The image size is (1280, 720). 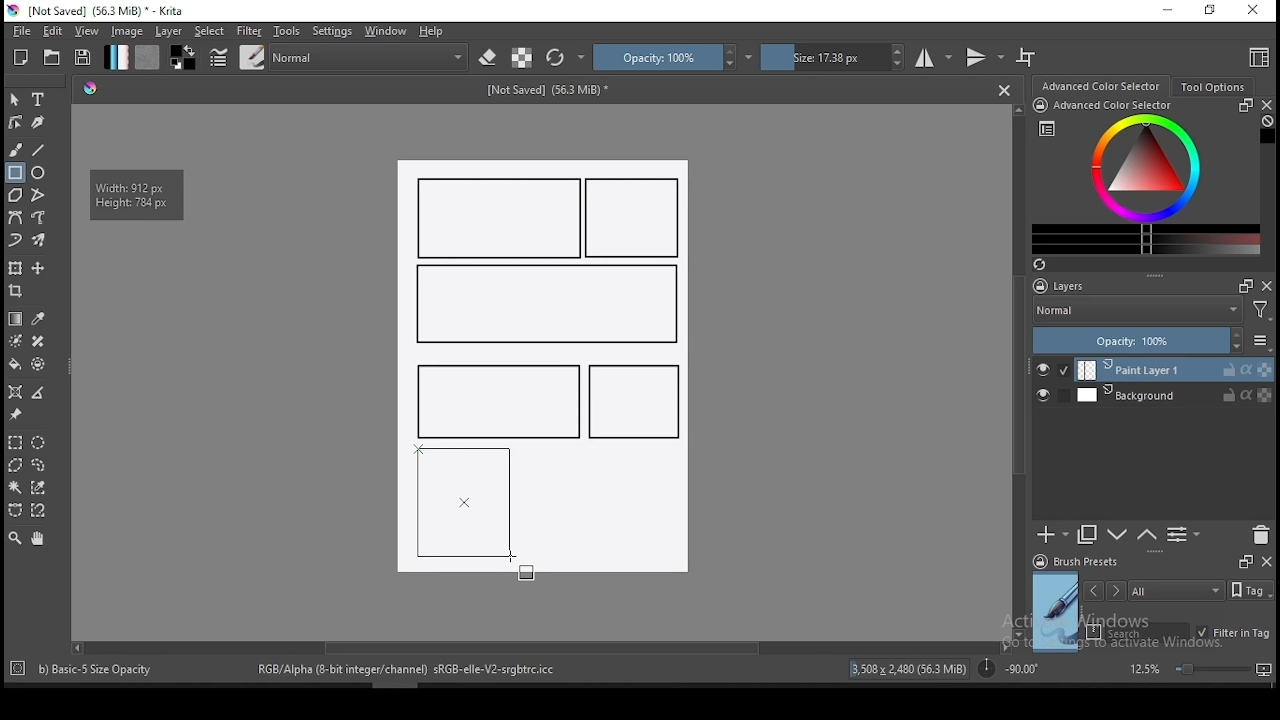 What do you see at coordinates (17, 341) in the screenshot?
I see `colorize mask tool` at bounding box center [17, 341].